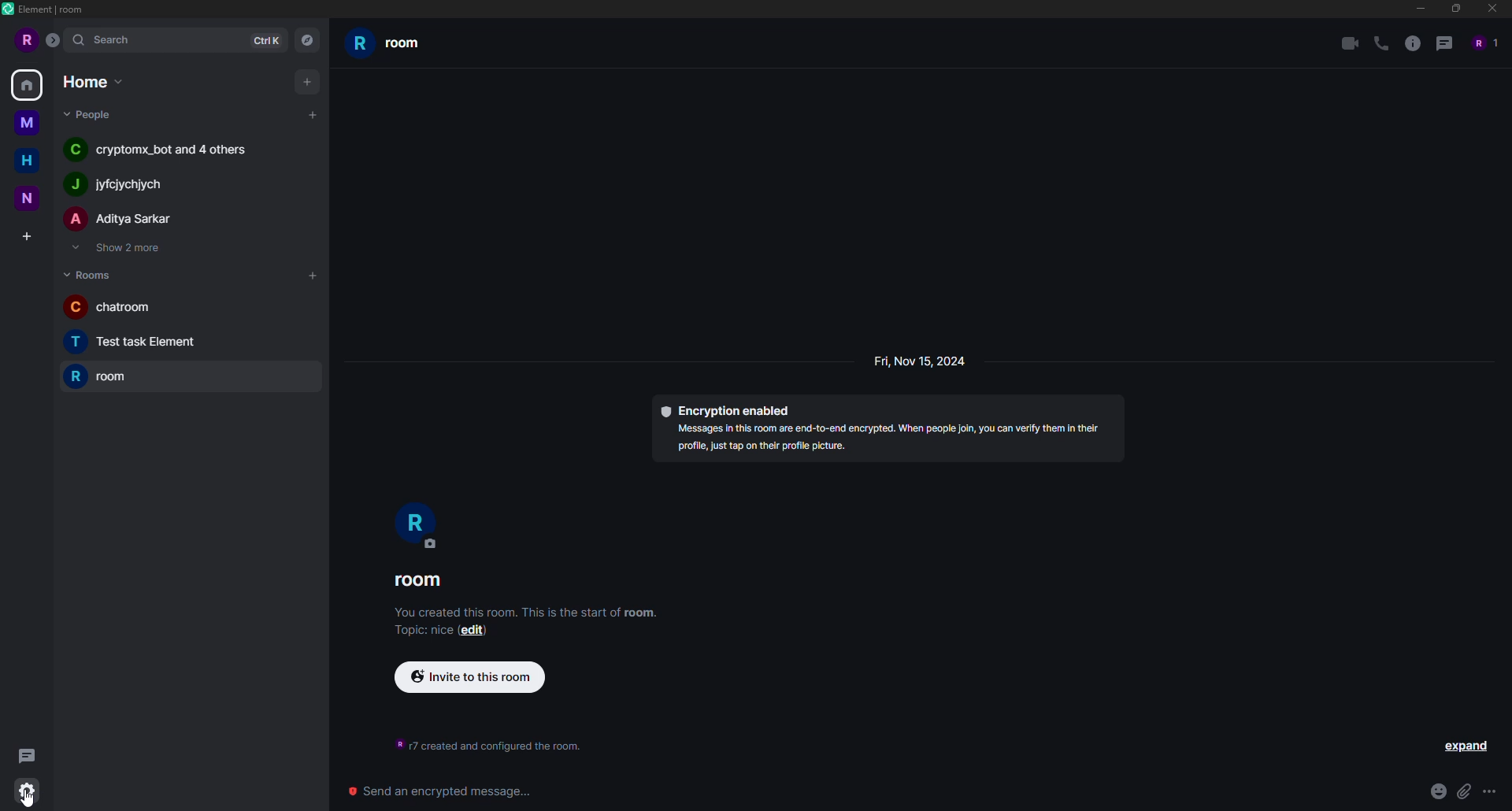 The image size is (1512, 811). Describe the element at coordinates (30, 797) in the screenshot. I see `cursor` at that location.